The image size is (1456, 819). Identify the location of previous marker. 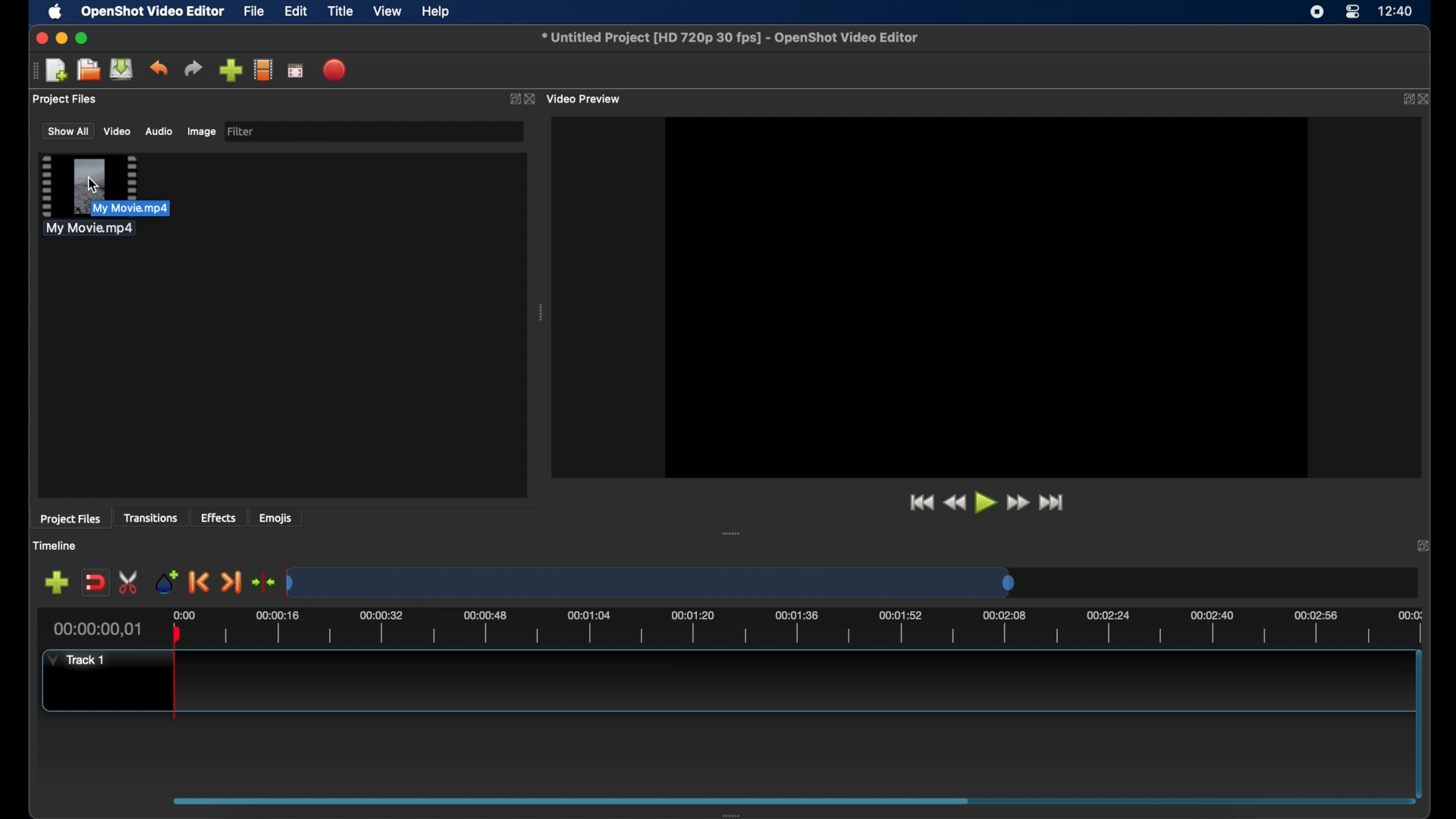
(197, 582).